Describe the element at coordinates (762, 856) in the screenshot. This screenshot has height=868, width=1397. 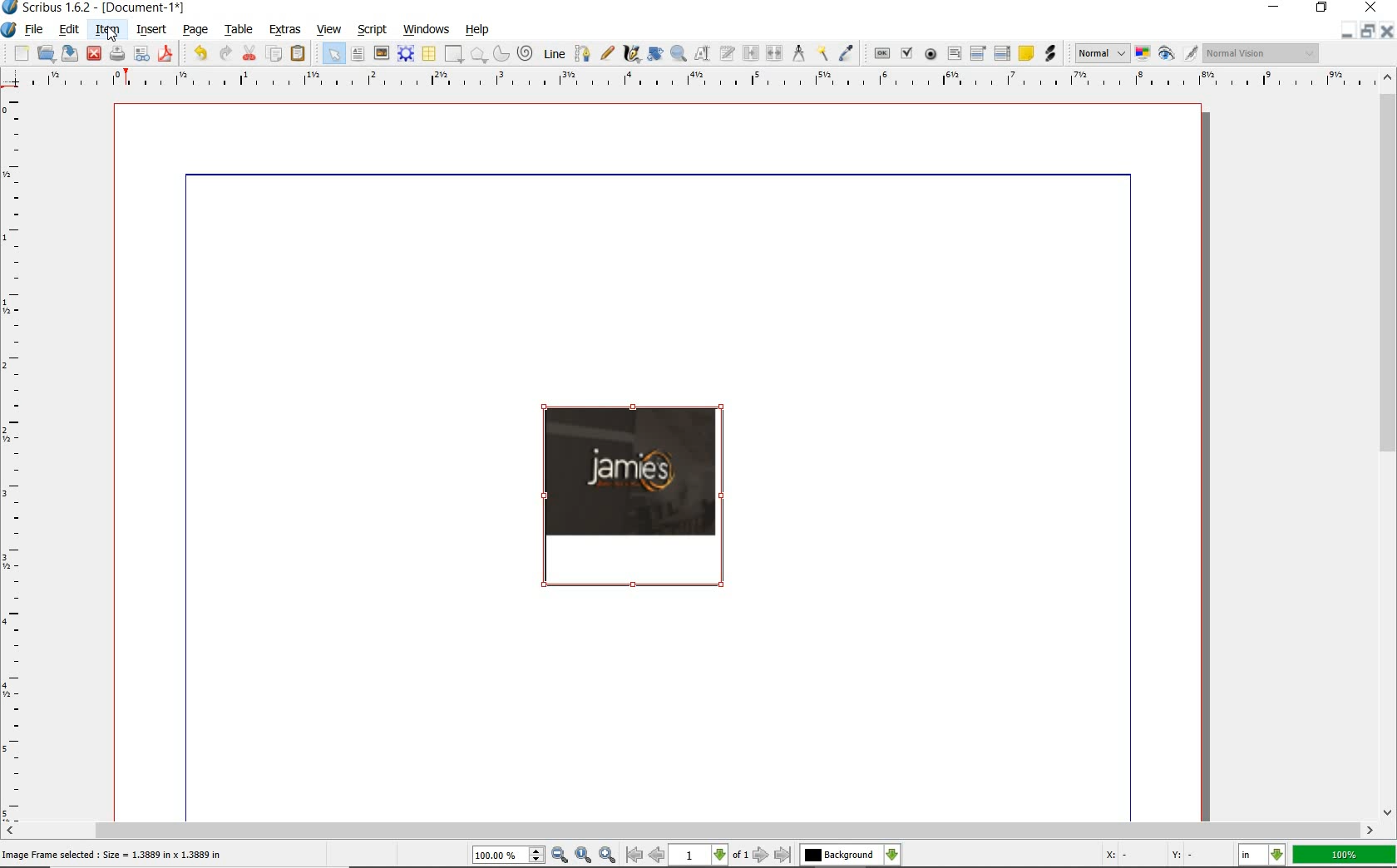
I see `Next Page` at that location.